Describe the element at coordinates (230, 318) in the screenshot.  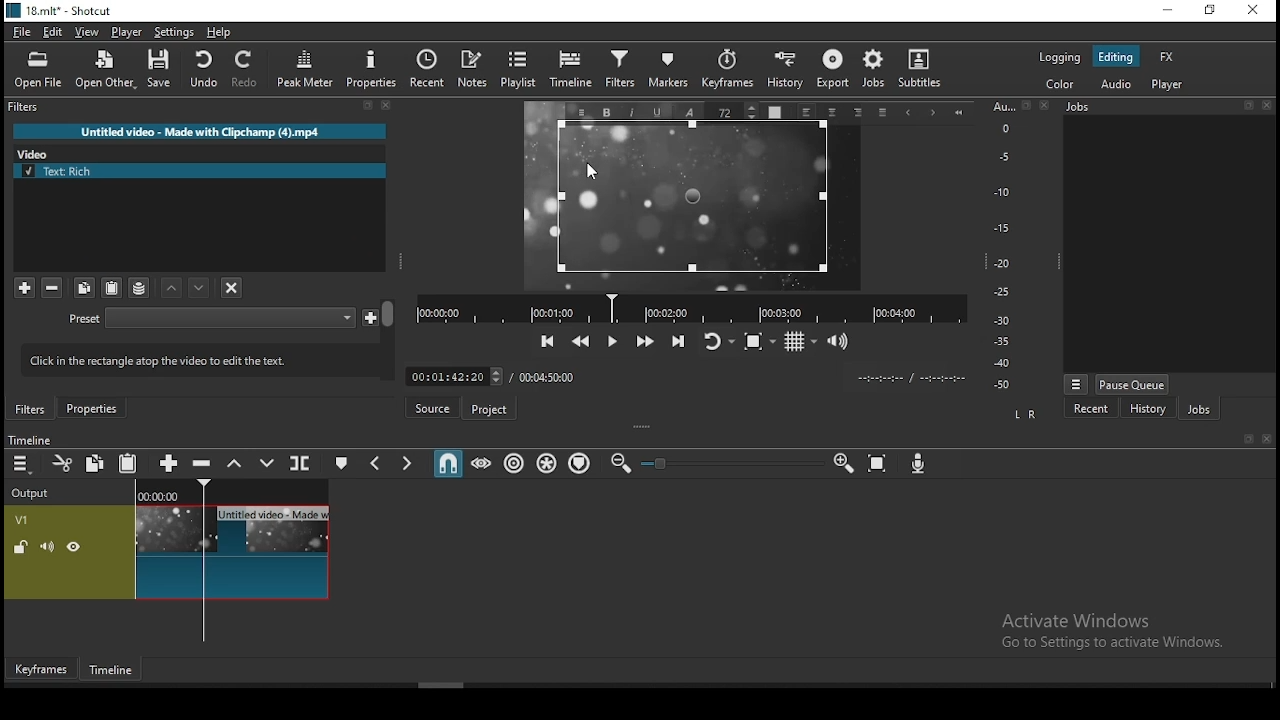
I see `Preset Selection` at that location.